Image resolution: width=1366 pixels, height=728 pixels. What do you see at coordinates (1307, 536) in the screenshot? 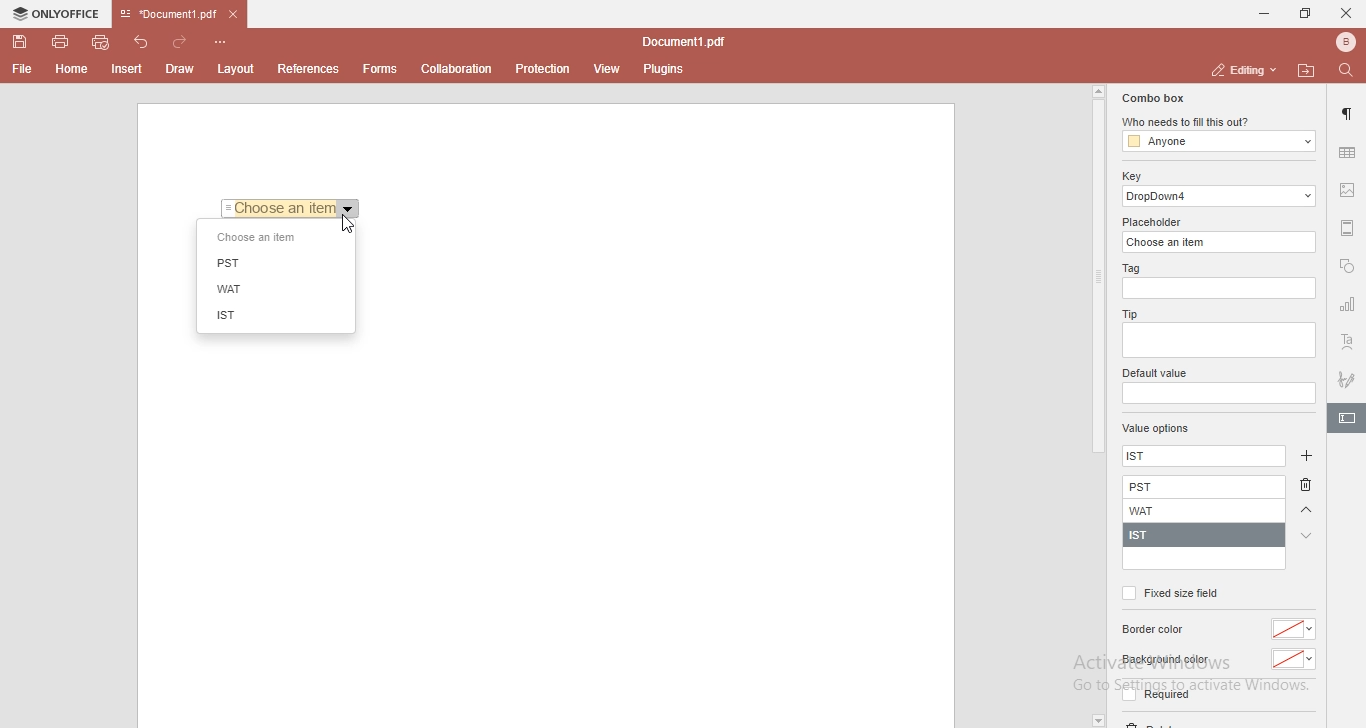
I see `arrow down` at bounding box center [1307, 536].